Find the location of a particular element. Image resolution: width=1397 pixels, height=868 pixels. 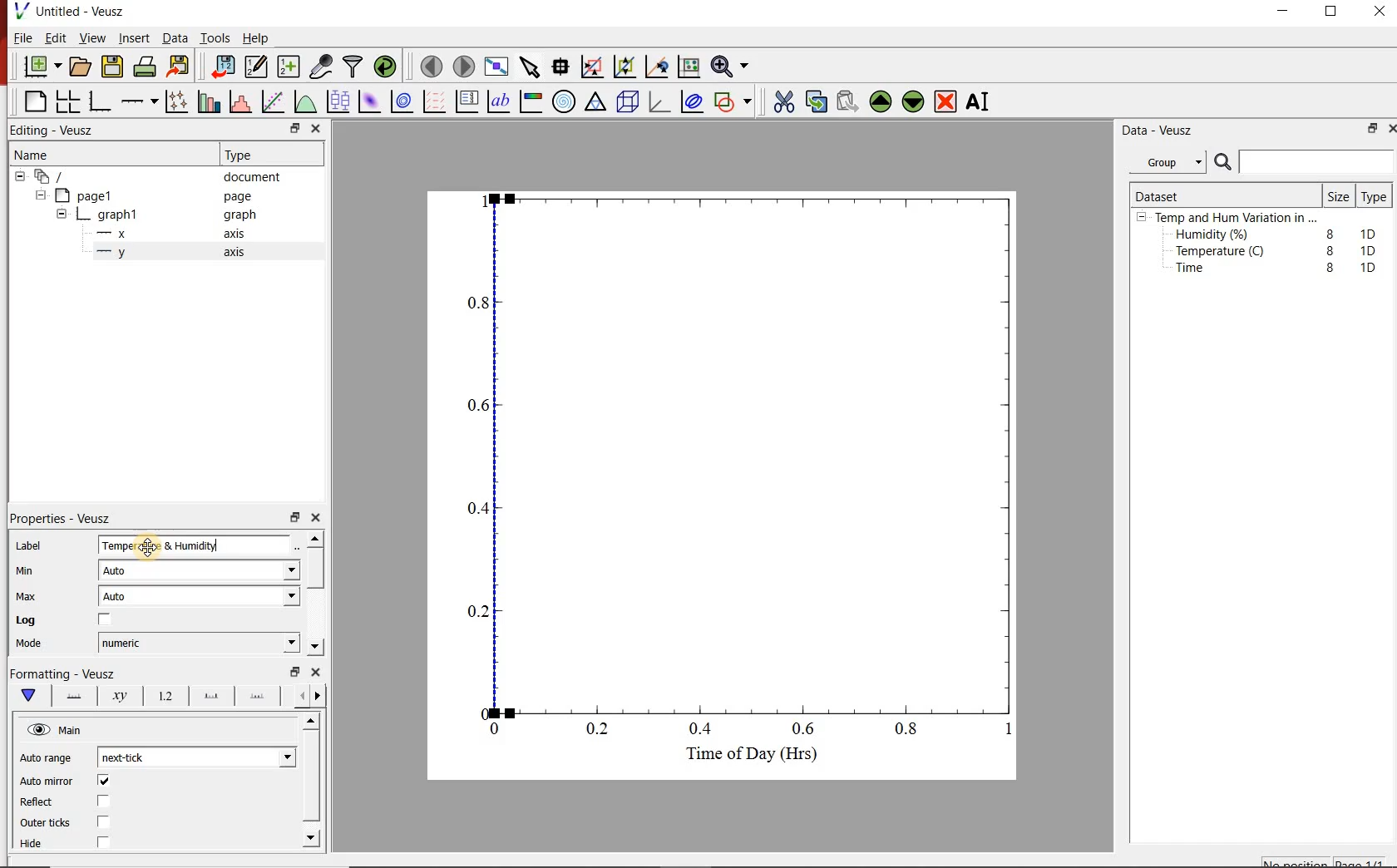

0.8 is located at coordinates (911, 732).